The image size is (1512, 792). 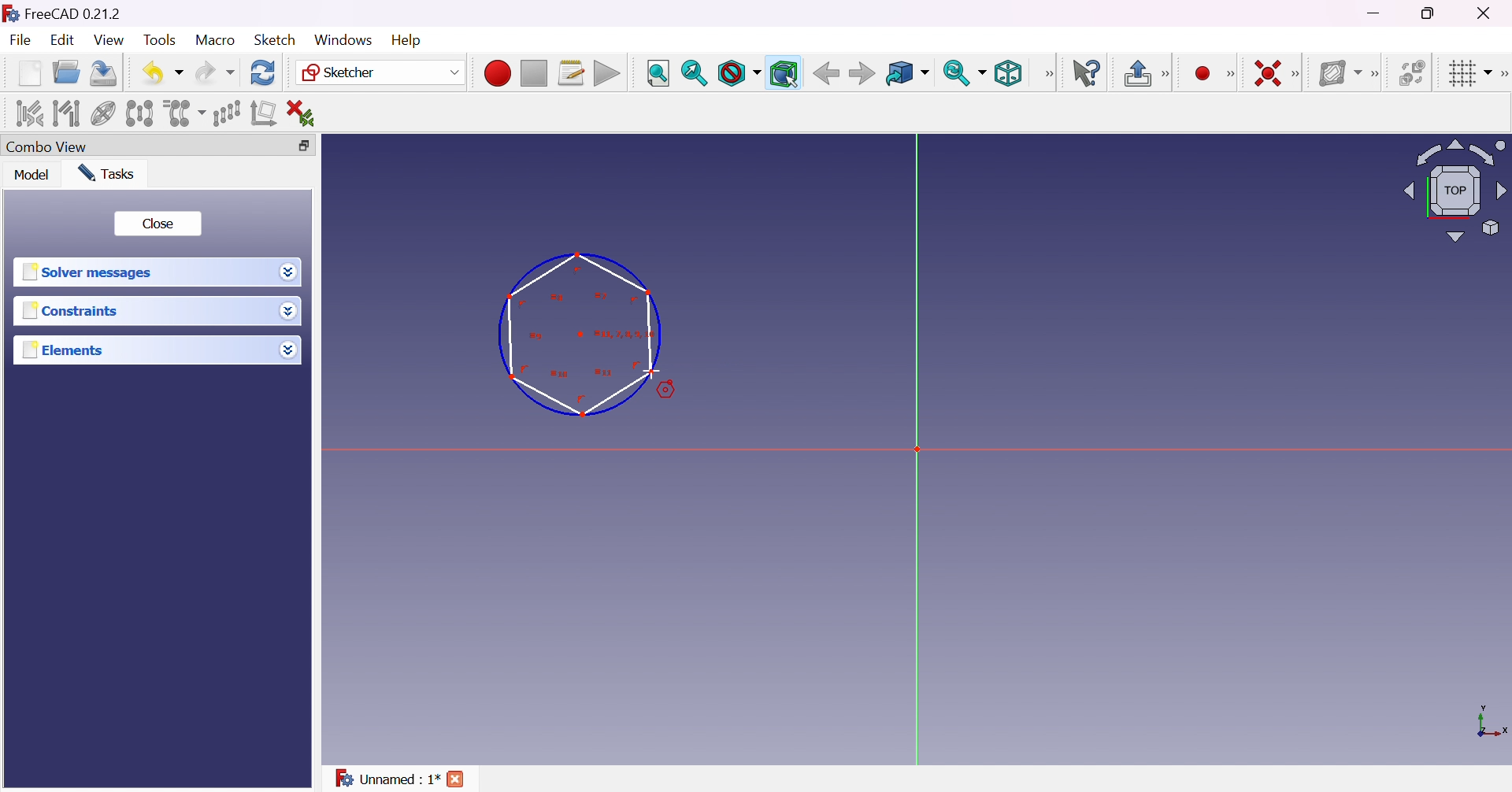 What do you see at coordinates (157, 224) in the screenshot?
I see `Close` at bounding box center [157, 224].